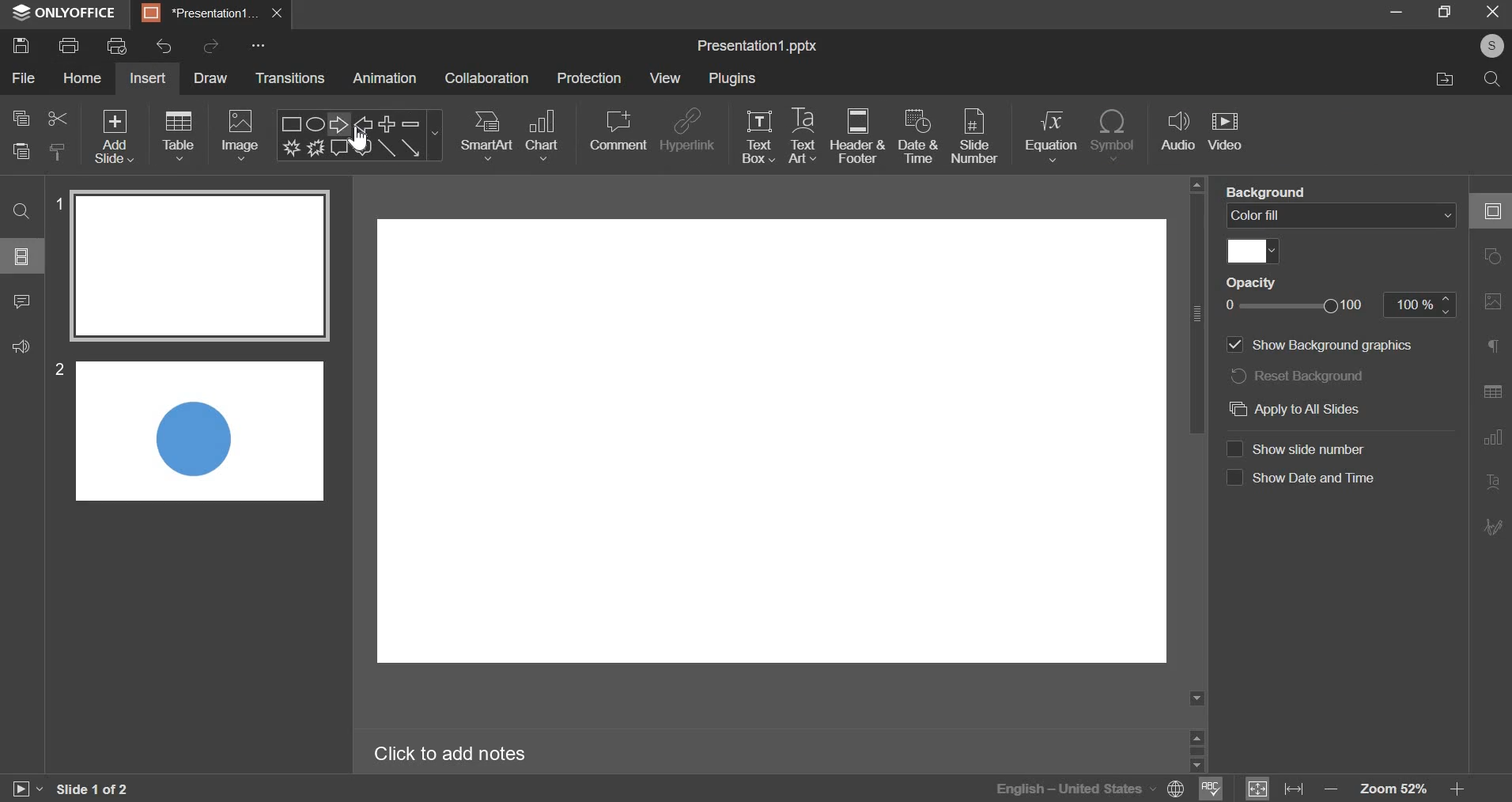 This screenshot has height=802, width=1512. Describe the element at coordinates (1445, 11) in the screenshot. I see `maximize` at that location.